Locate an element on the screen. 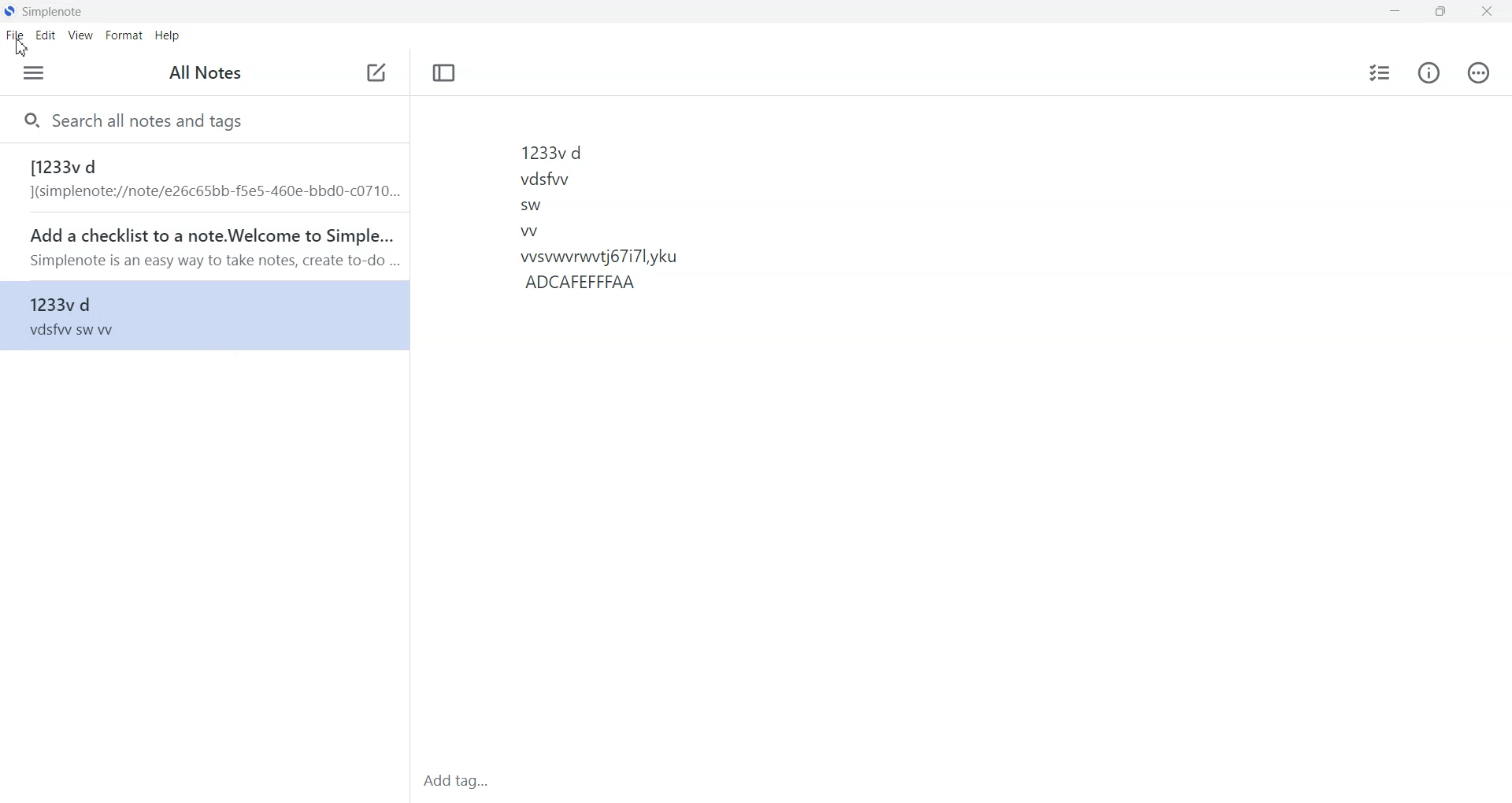 This screenshot has height=803, width=1512. Simplenote is located at coordinates (44, 11).